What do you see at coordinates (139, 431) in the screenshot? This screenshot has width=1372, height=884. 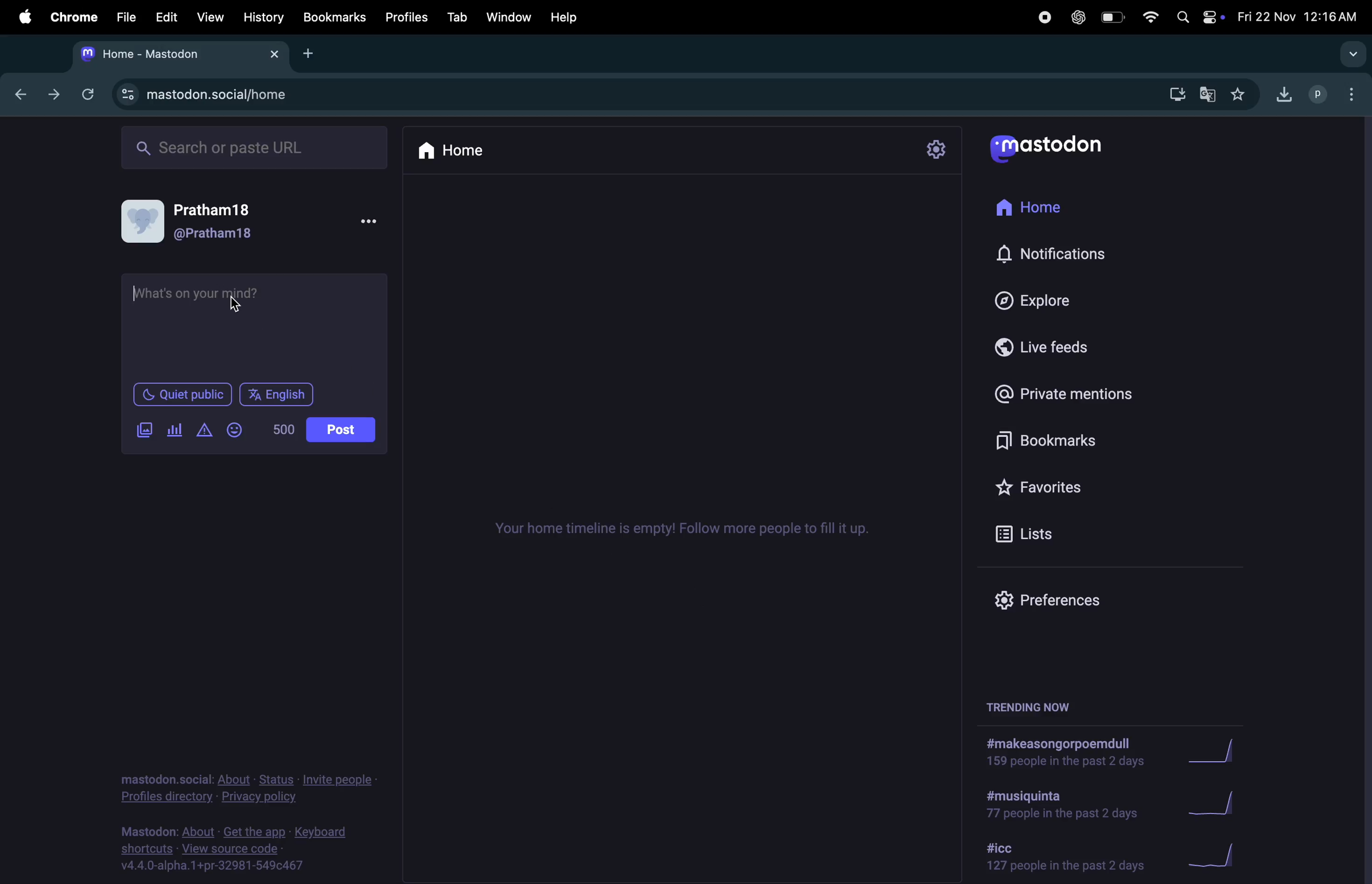 I see `add image` at bounding box center [139, 431].